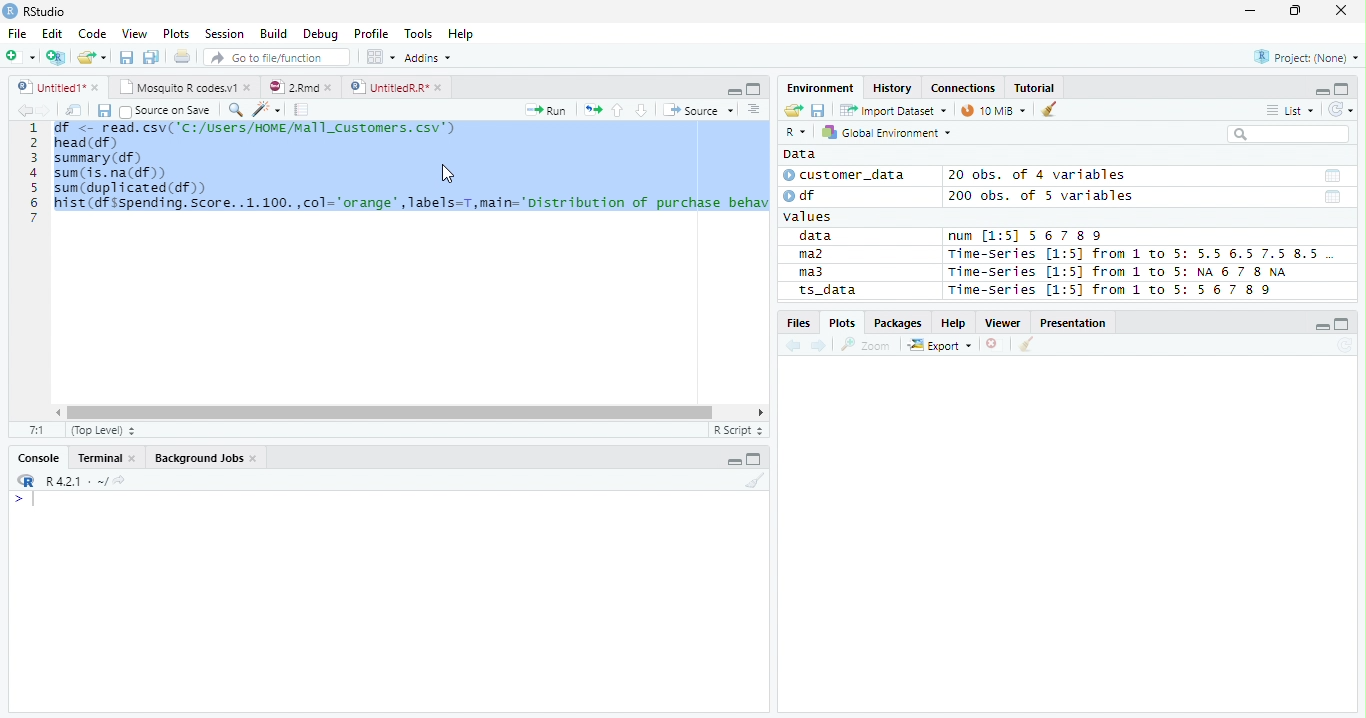  Describe the element at coordinates (37, 430) in the screenshot. I see `1:1` at that location.